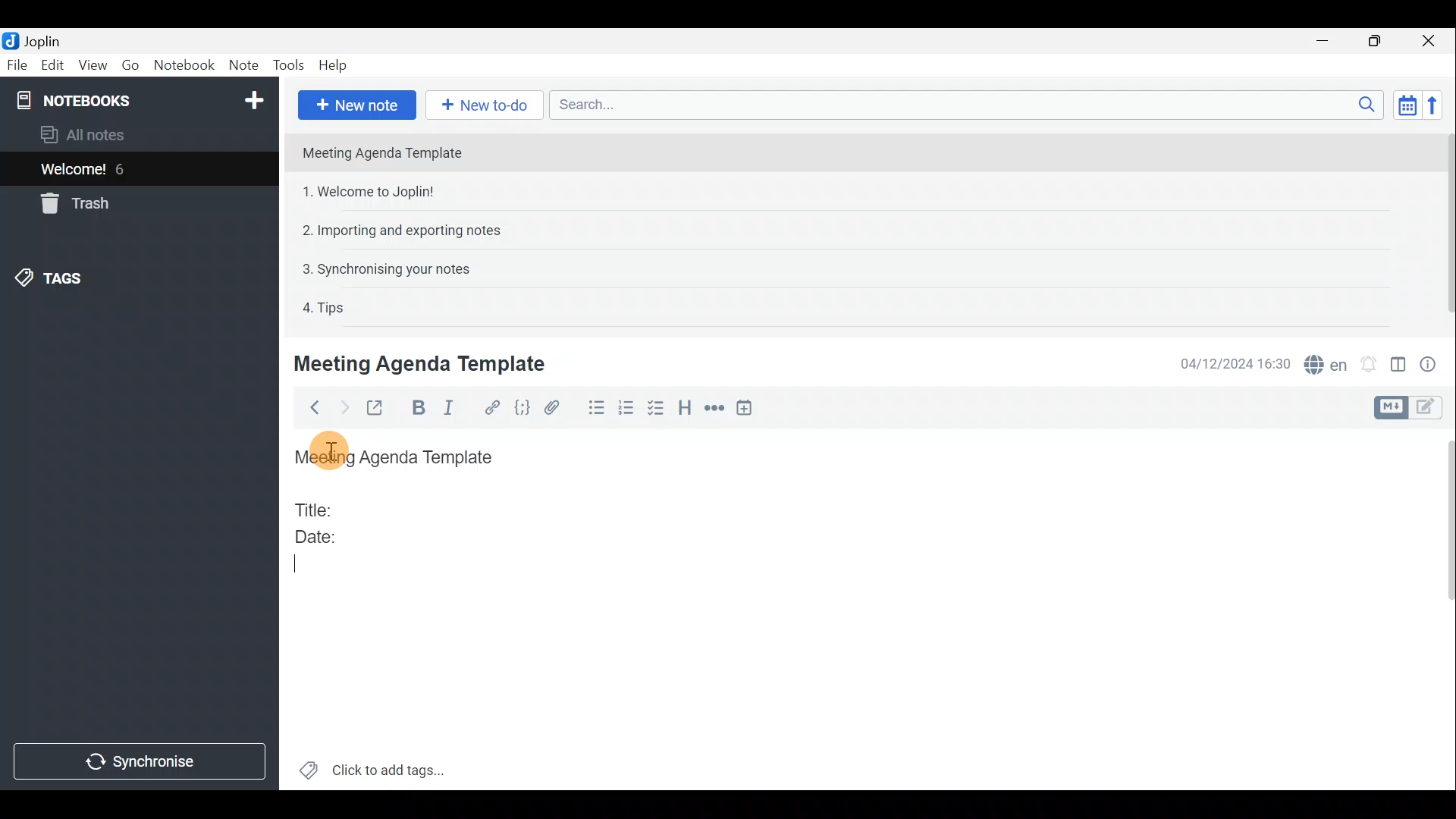 The width and height of the screenshot is (1456, 819). What do you see at coordinates (42, 40) in the screenshot?
I see `Joplin` at bounding box center [42, 40].